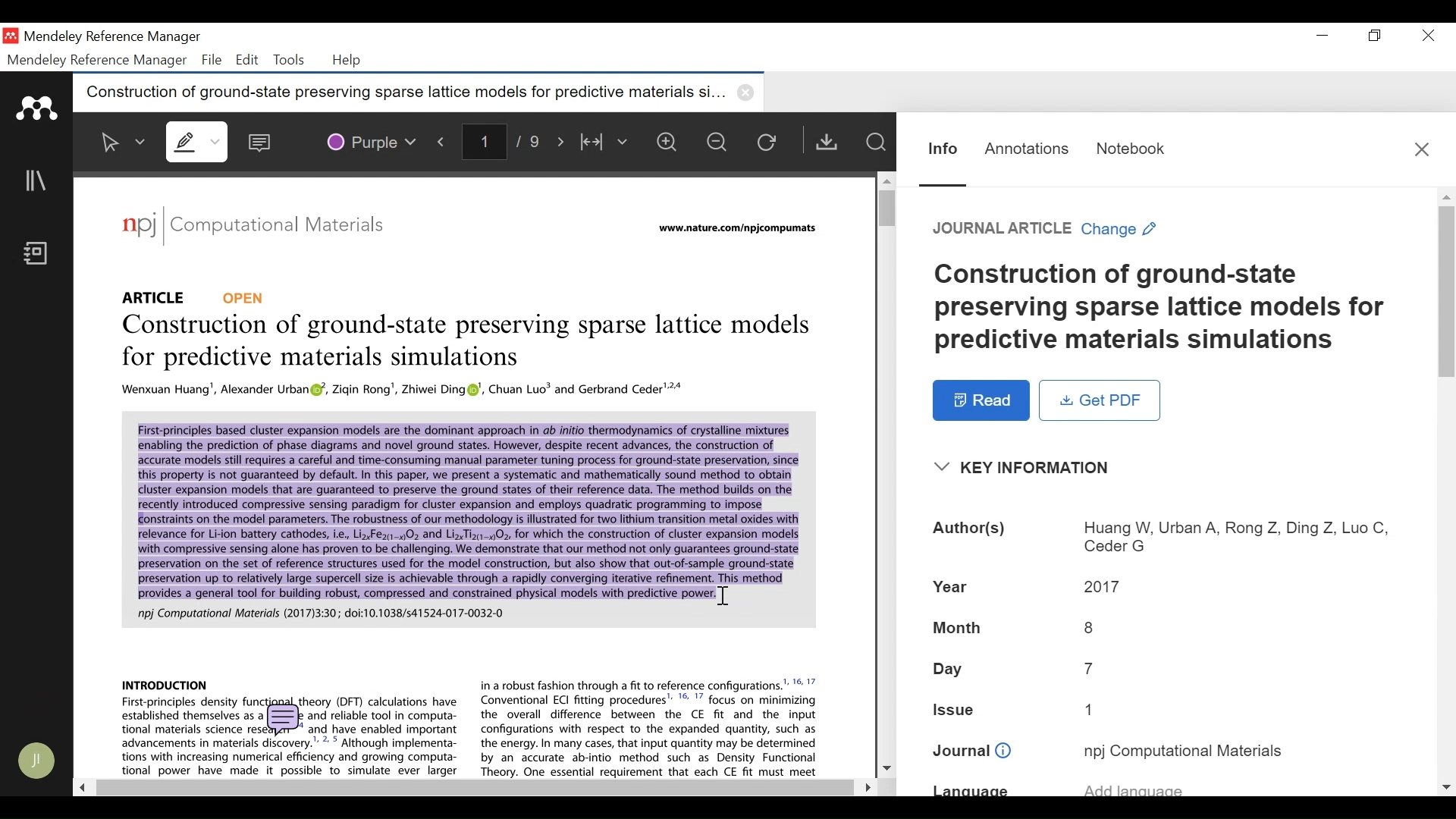  What do you see at coordinates (882, 207) in the screenshot?
I see `Vertical Scroll bar` at bounding box center [882, 207].